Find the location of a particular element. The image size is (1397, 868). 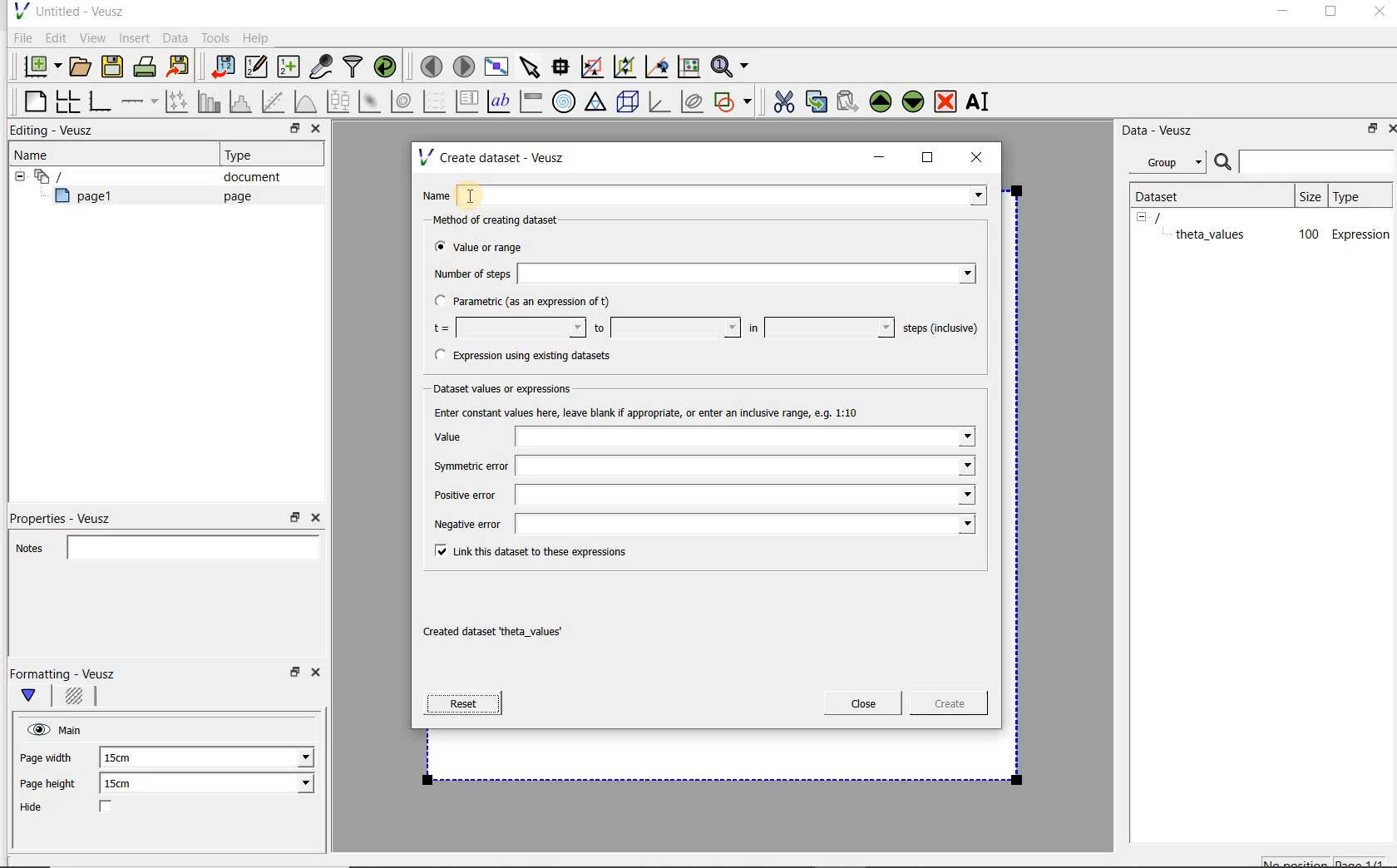

plot a 2d dataset as an image is located at coordinates (372, 102).